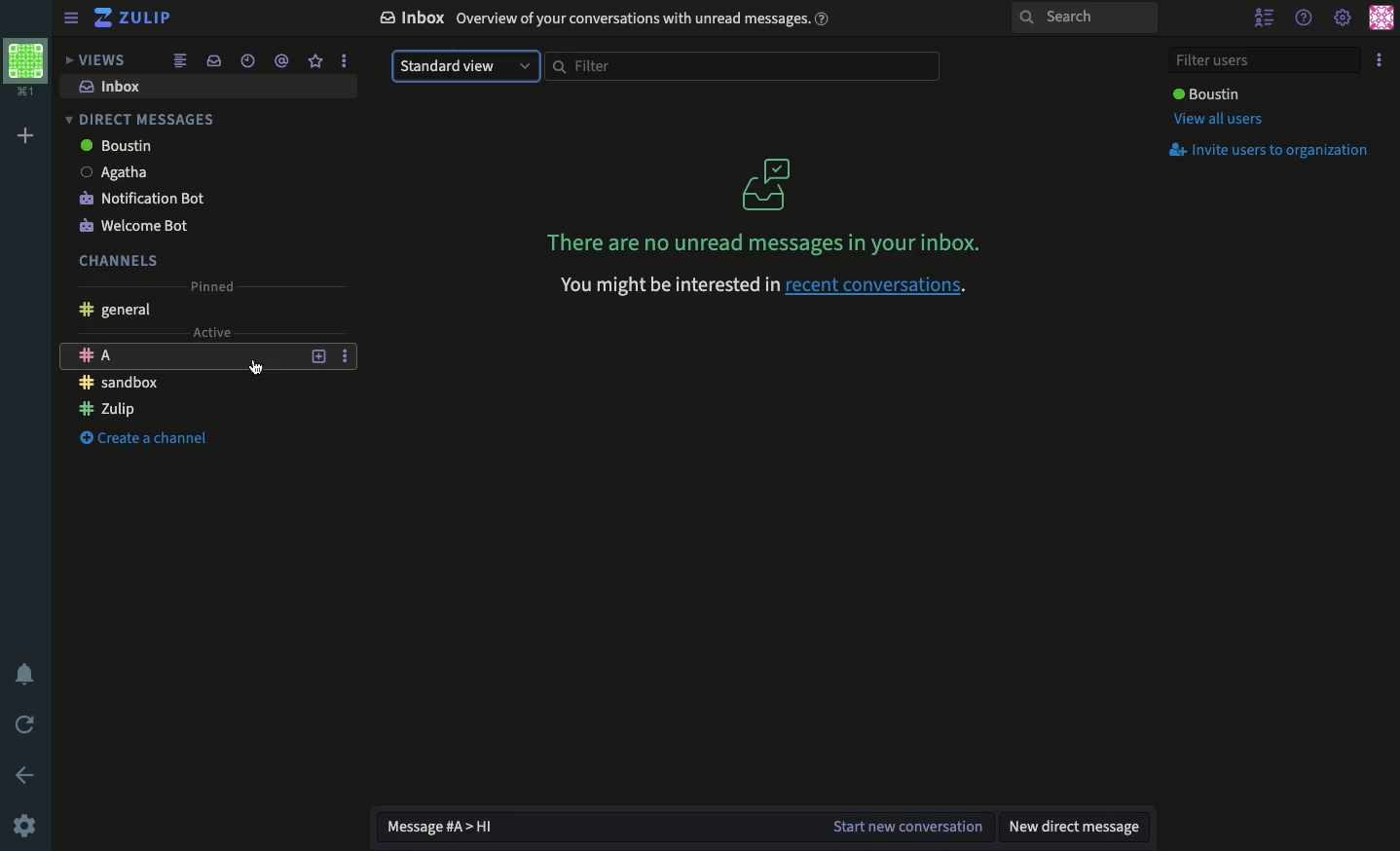  I want to click on Zulip, so click(136, 20).